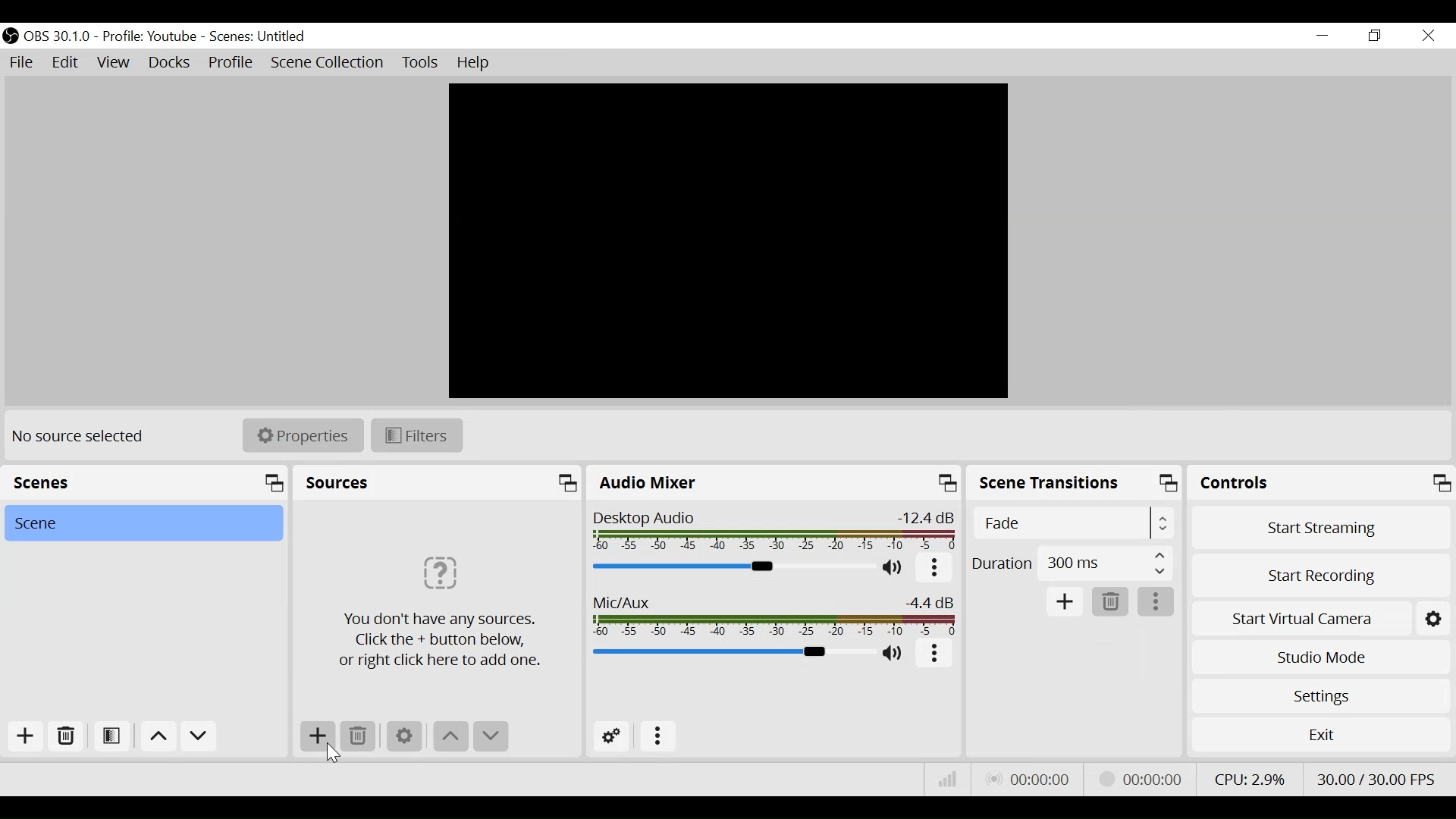 The image size is (1456, 819). What do you see at coordinates (112, 62) in the screenshot?
I see `View` at bounding box center [112, 62].